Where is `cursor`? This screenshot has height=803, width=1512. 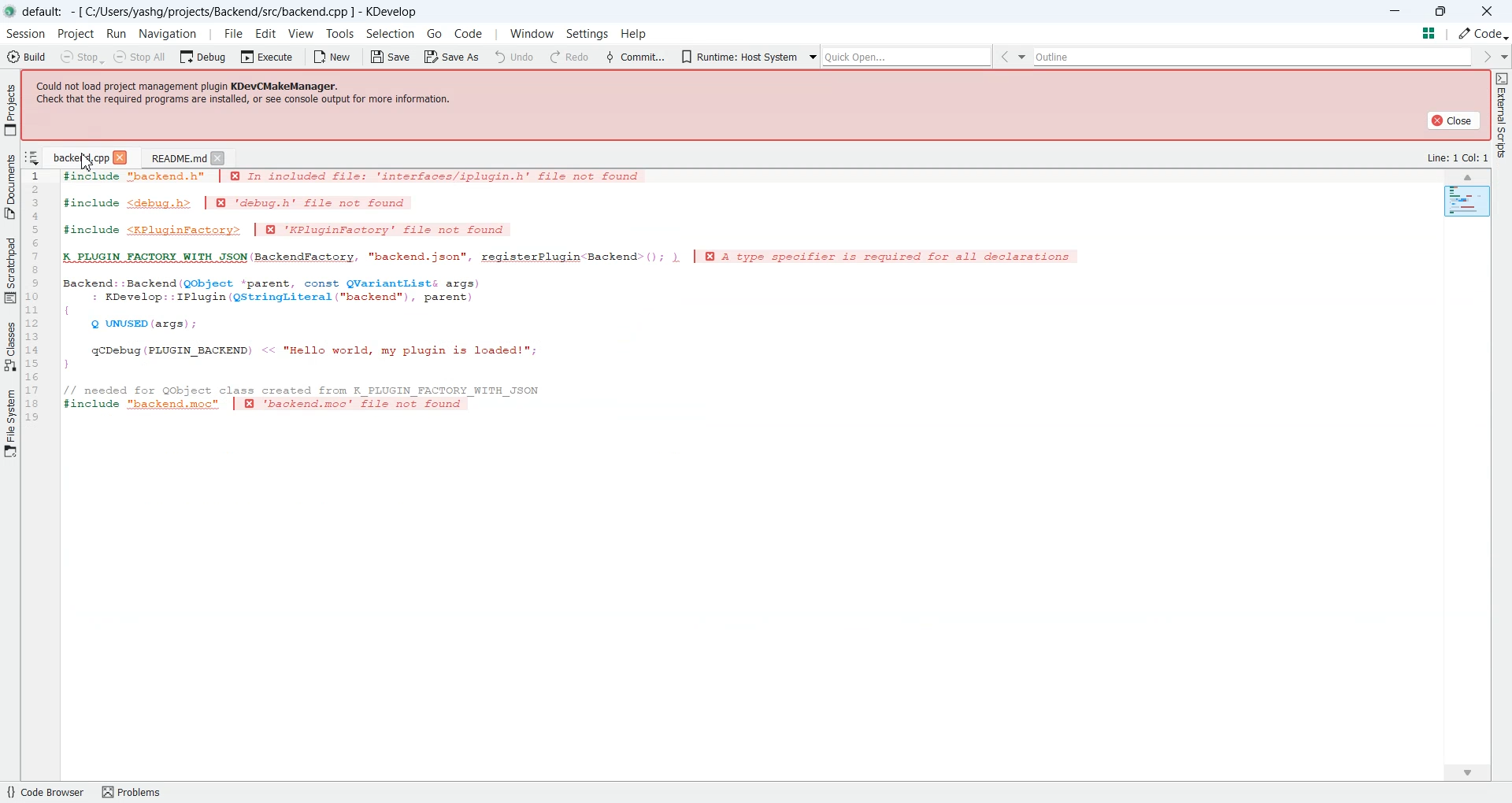 cursor is located at coordinates (89, 161).